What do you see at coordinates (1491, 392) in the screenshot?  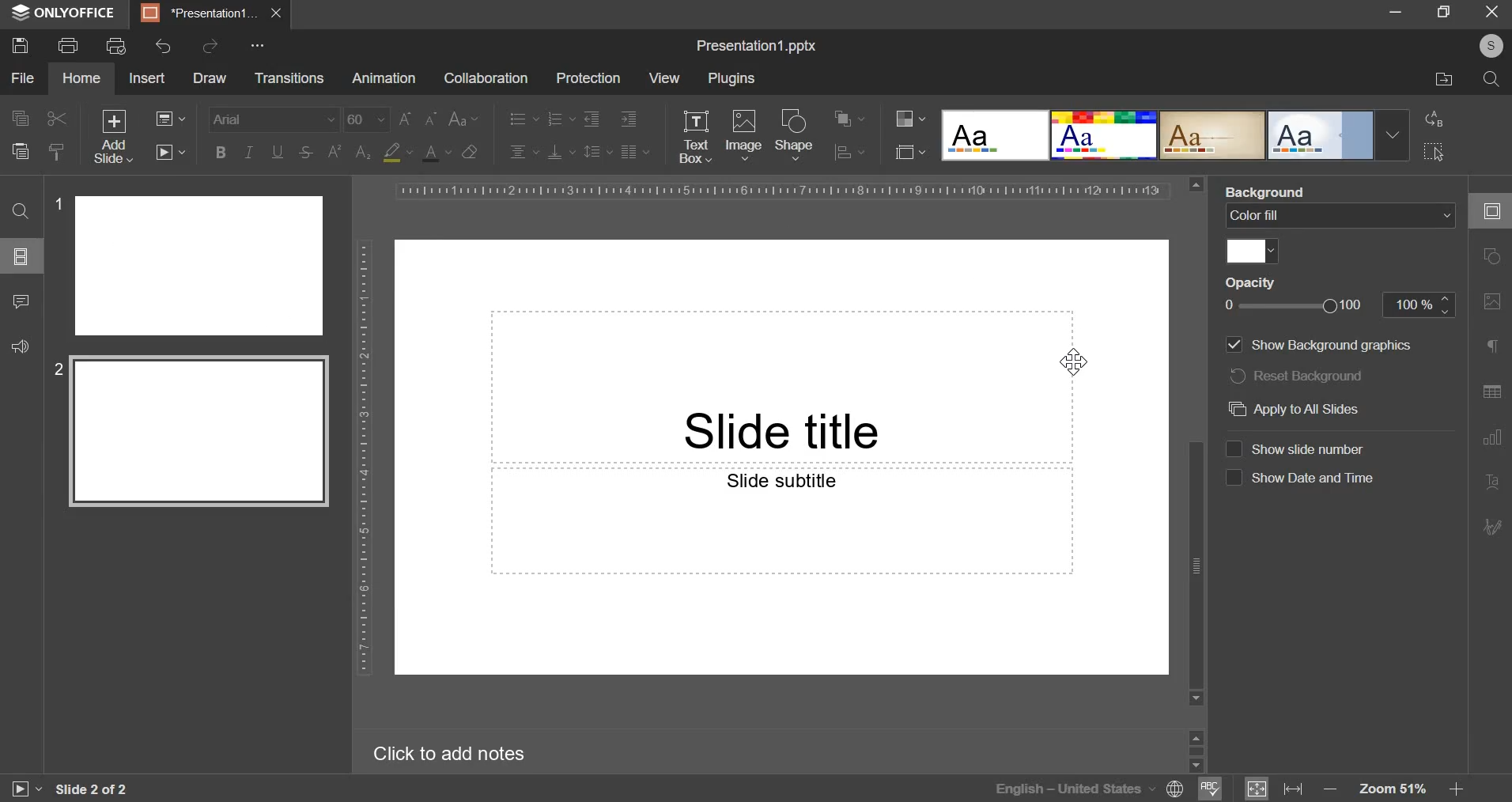 I see `table settings` at bounding box center [1491, 392].